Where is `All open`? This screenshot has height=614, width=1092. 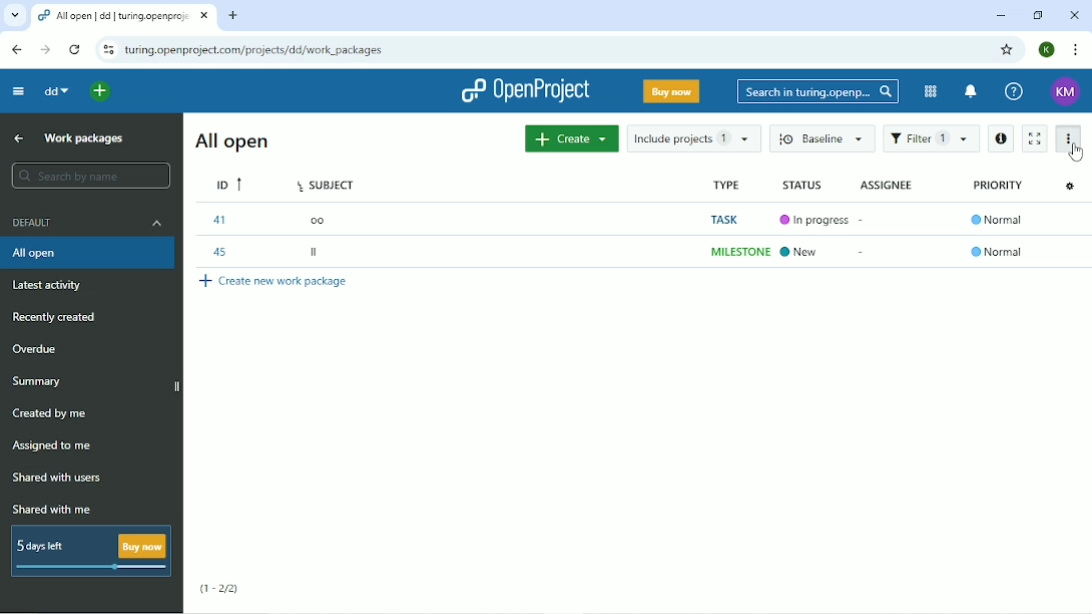 All open is located at coordinates (89, 253).